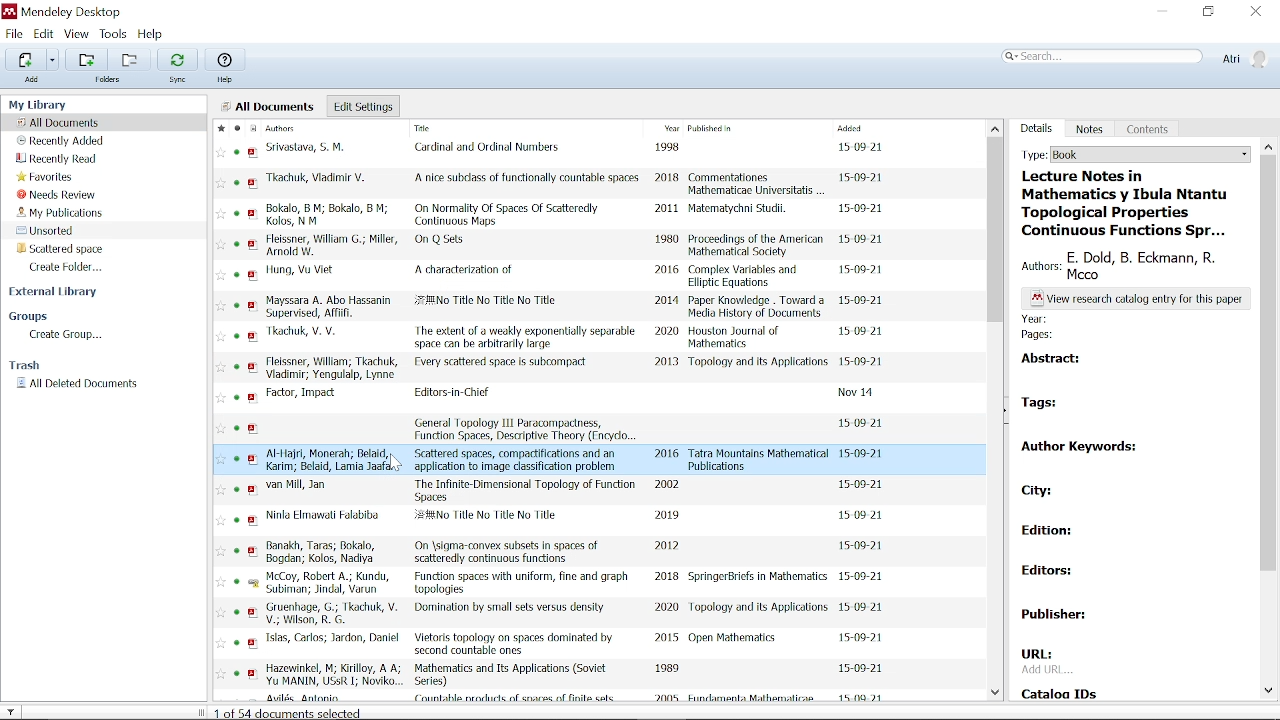 The image size is (1280, 720). Describe the element at coordinates (524, 336) in the screenshot. I see `title` at that location.